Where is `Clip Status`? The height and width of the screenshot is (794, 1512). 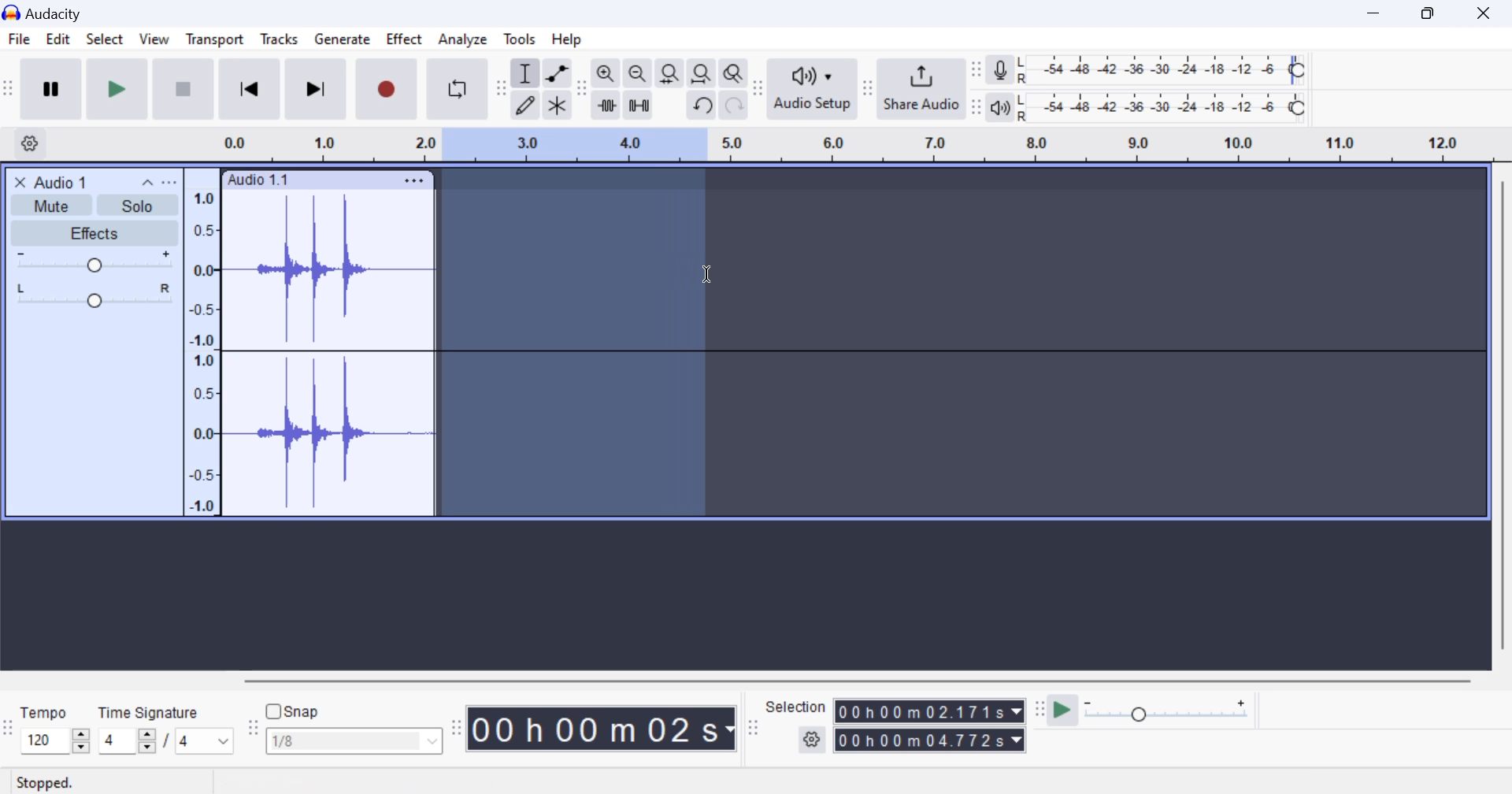
Clip Status is located at coordinates (46, 784).